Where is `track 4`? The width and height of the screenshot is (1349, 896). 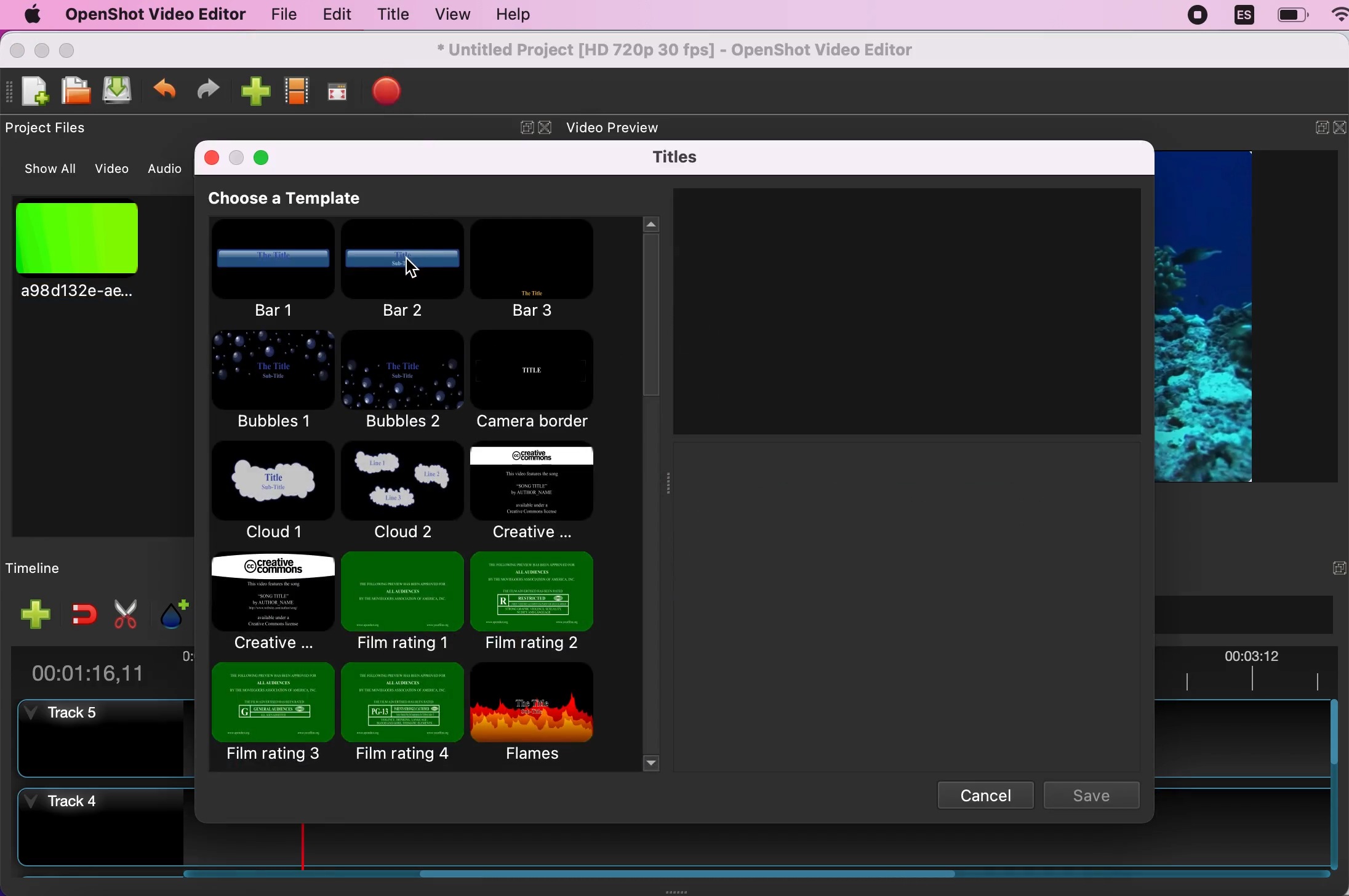 track 4 is located at coordinates (100, 830).